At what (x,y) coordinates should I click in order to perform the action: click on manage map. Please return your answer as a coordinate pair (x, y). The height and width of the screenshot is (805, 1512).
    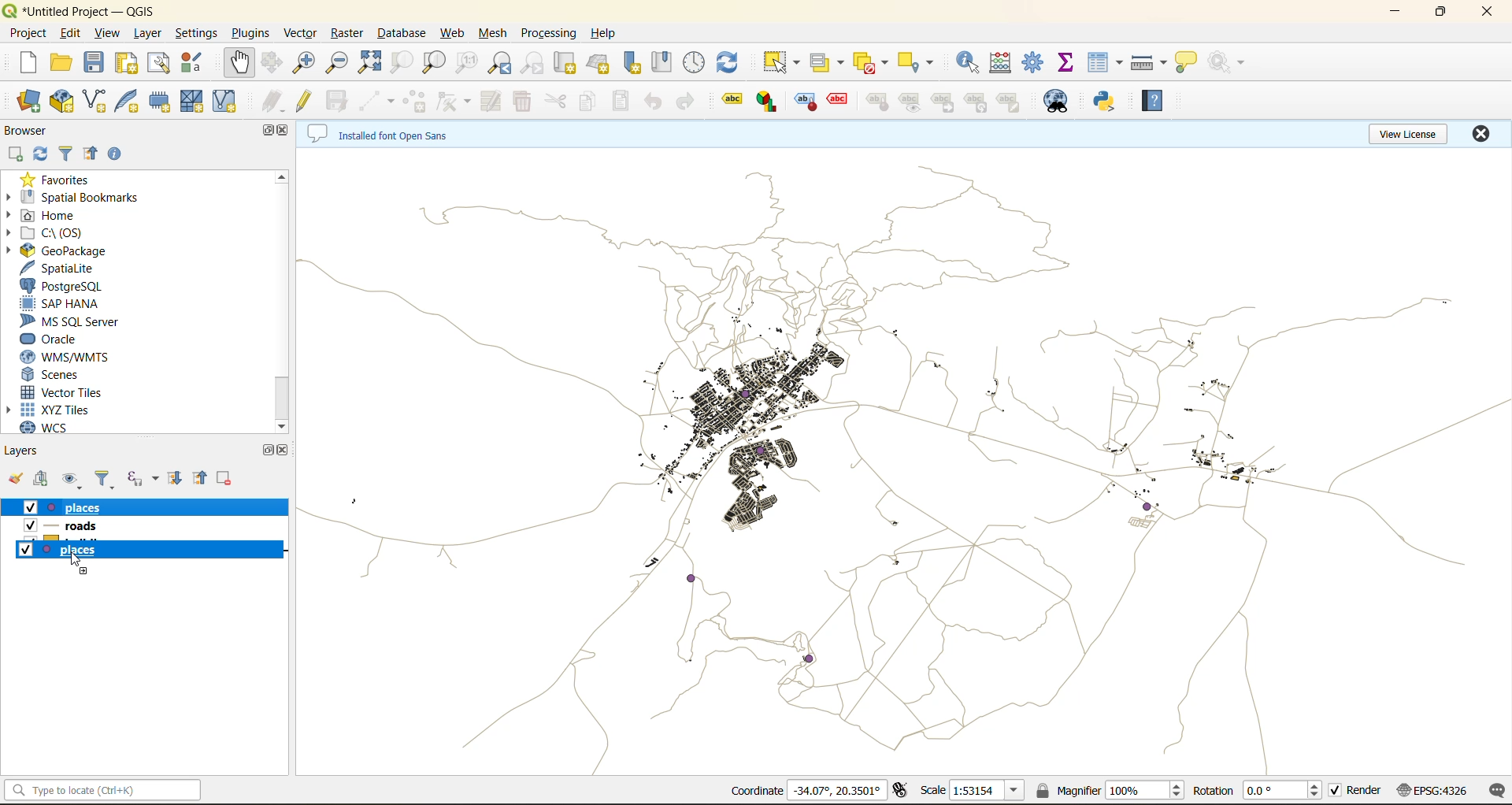
    Looking at the image, I should click on (74, 478).